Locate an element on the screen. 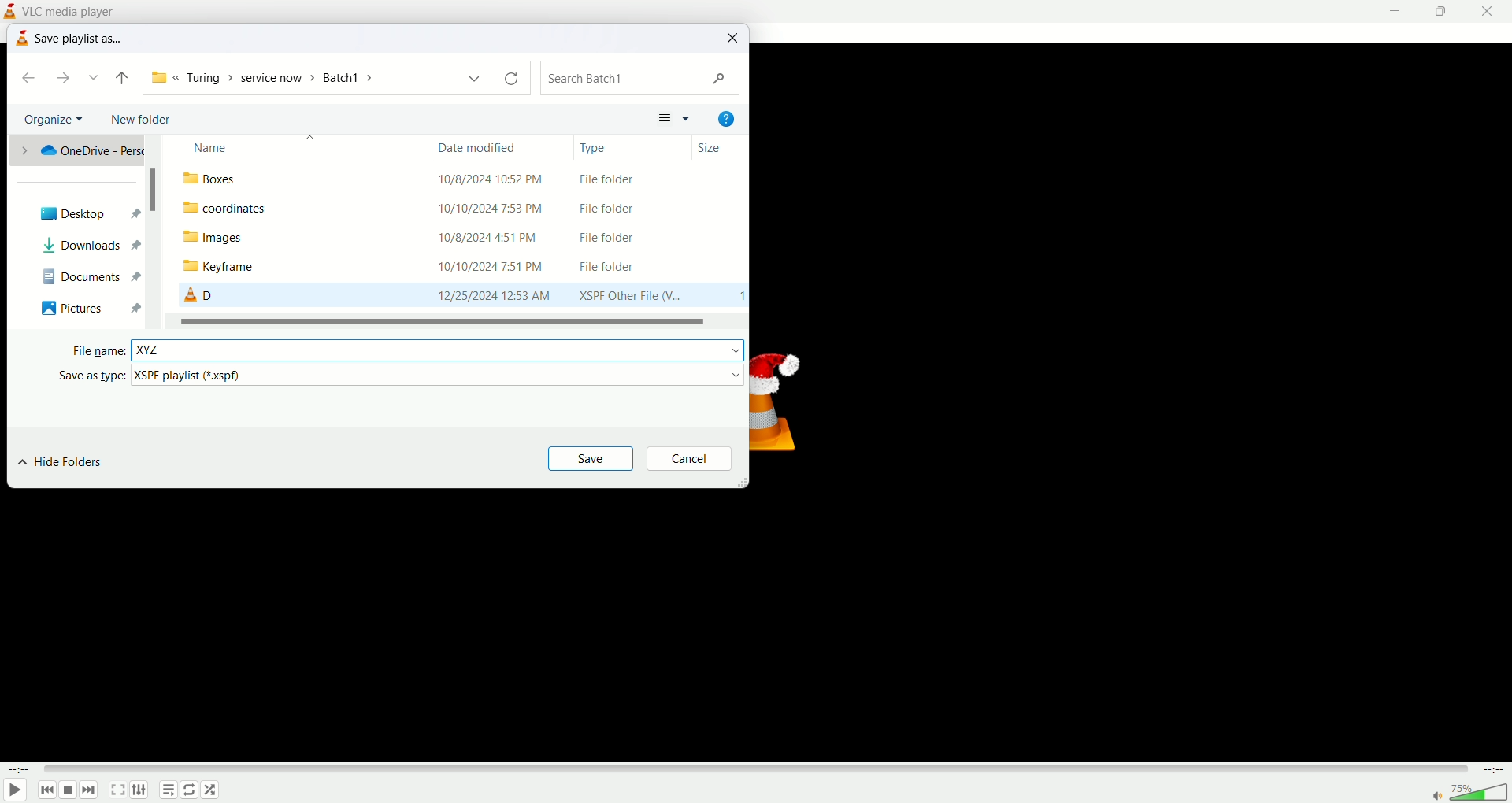 This screenshot has height=803, width=1512. list view is located at coordinates (675, 118).